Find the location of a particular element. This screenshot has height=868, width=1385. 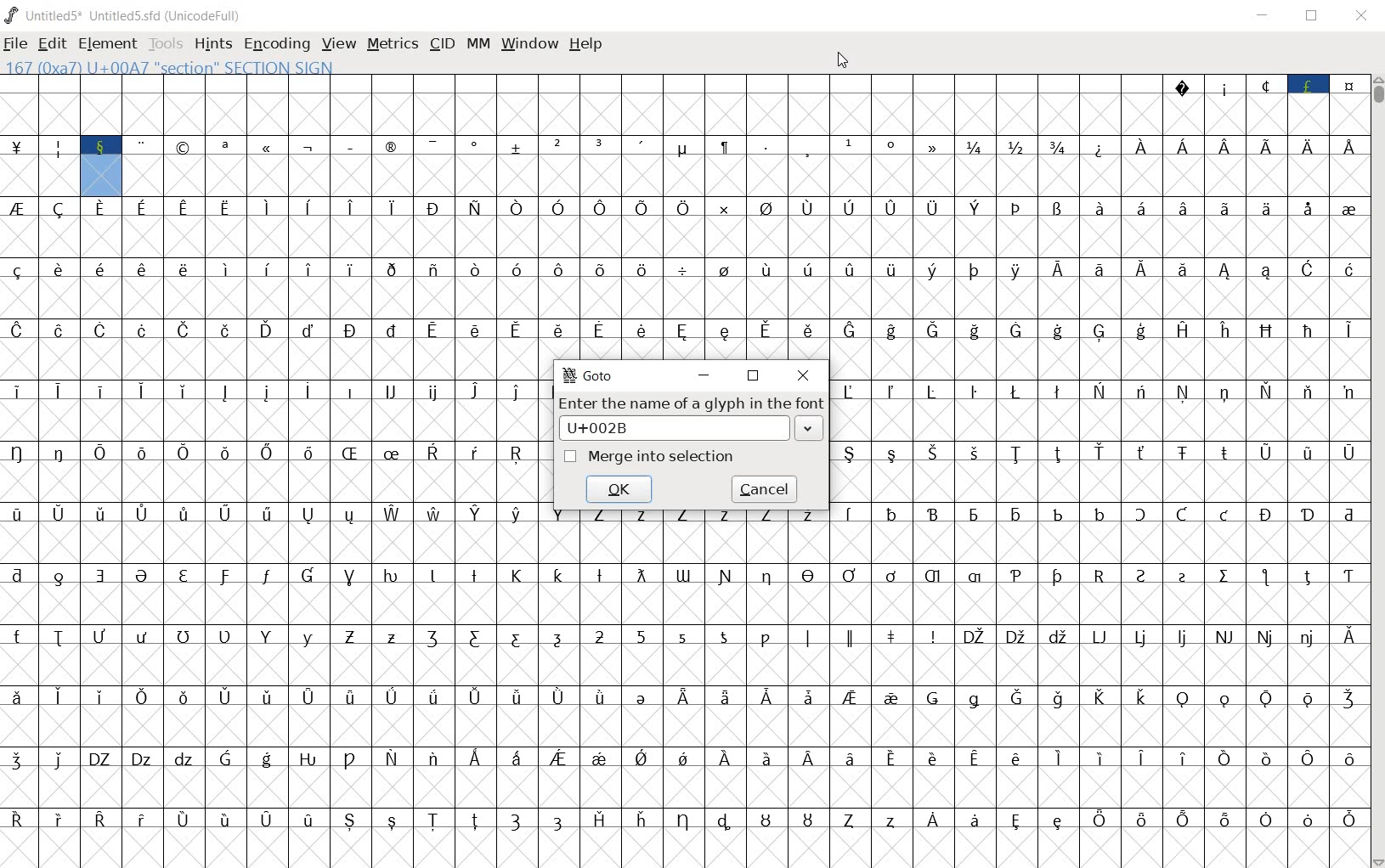

symbol is located at coordinates (1346, 228).